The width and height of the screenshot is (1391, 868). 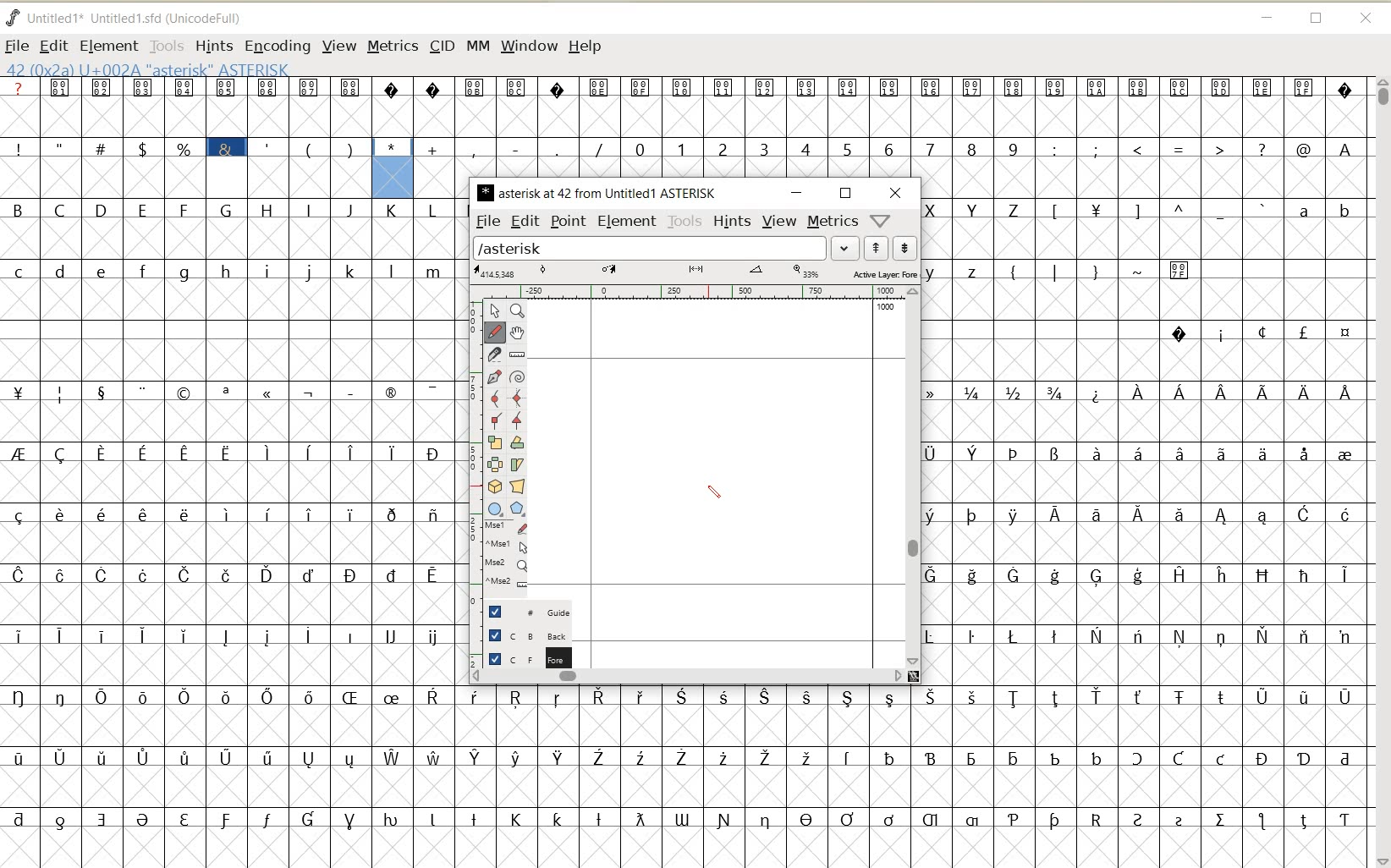 What do you see at coordinates (882, 222) in the screenshot?
I see `help/window` at bounding box center [882, 222].